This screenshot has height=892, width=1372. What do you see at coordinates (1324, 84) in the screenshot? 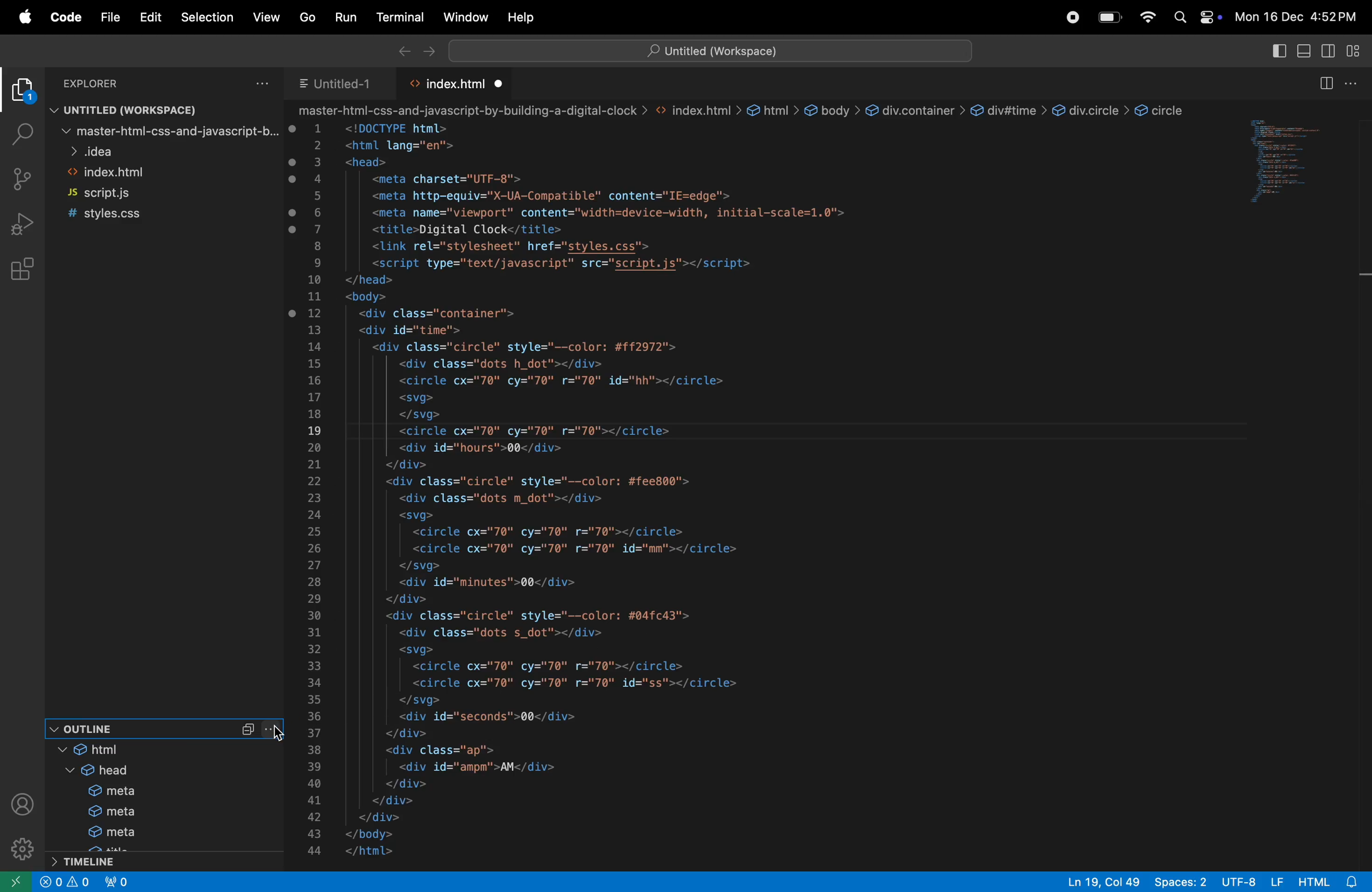
I see `split editor` at bounding box center [1324, 84].